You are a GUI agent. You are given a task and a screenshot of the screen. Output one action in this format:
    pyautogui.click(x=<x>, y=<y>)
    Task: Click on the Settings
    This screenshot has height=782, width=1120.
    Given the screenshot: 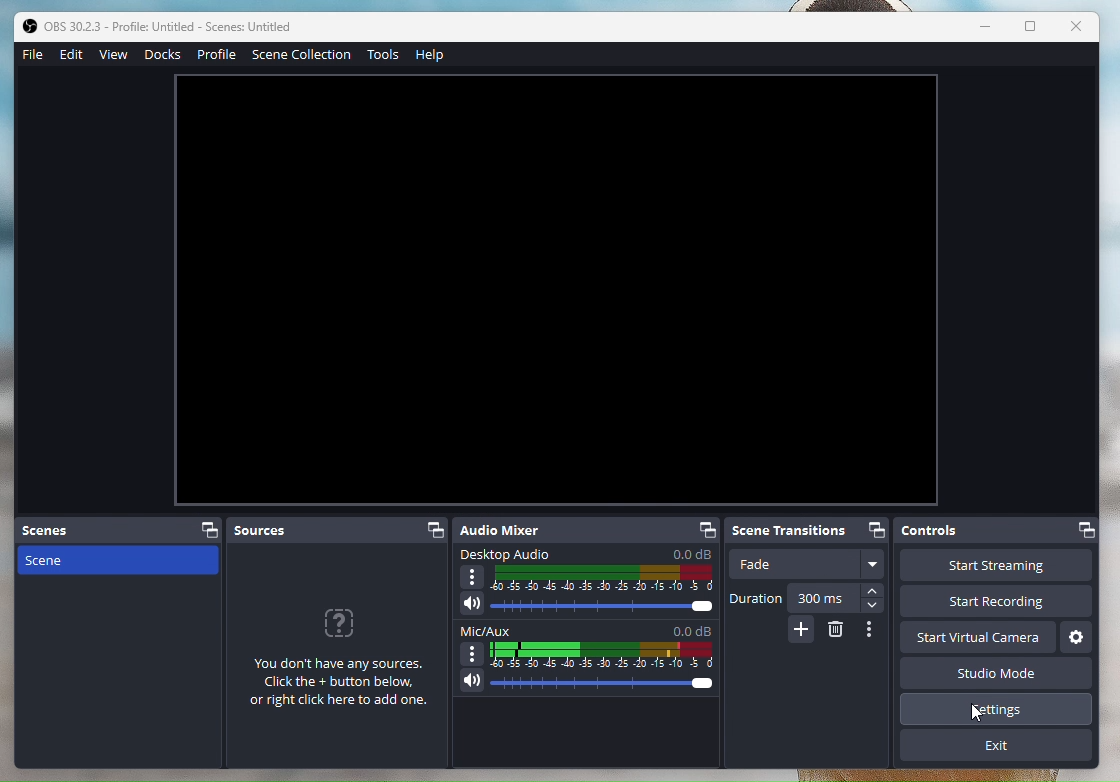 What is the action you would take?
    pyautogui.click(x=1076, y=638)
    